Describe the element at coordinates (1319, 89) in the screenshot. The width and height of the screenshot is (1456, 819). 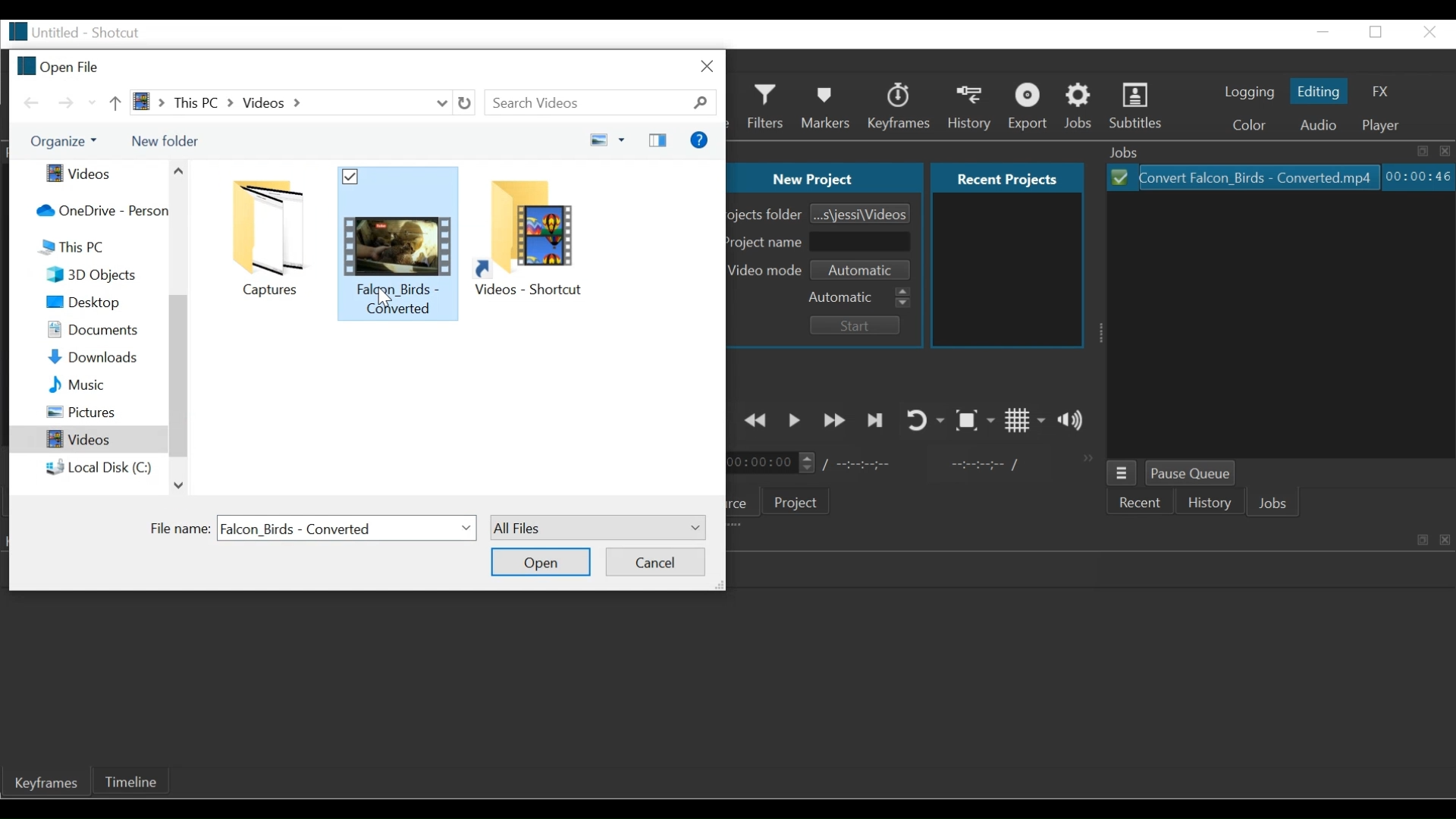
I see `Editing` at that location.